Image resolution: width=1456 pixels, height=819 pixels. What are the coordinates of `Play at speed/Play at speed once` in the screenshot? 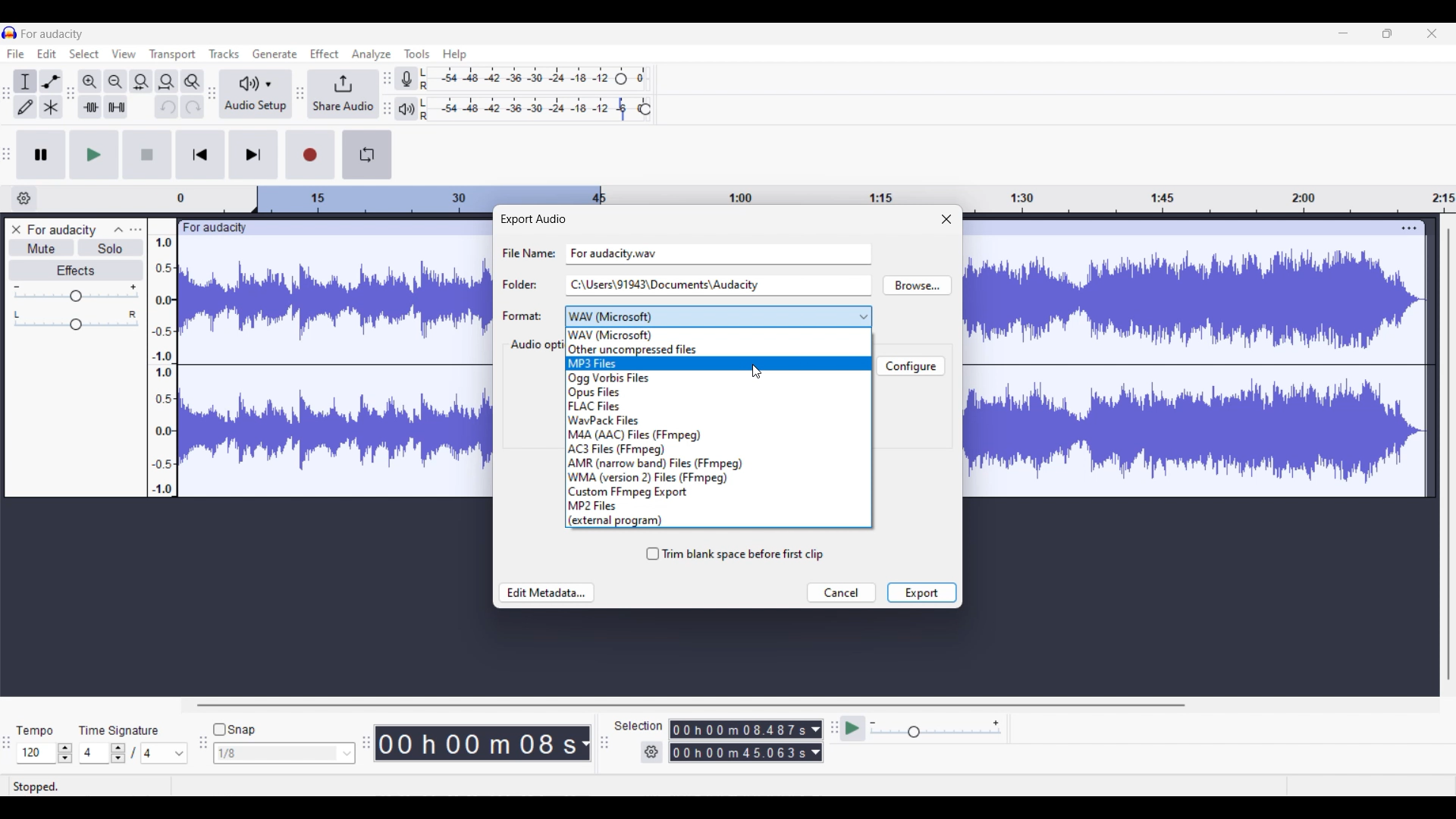 It's located at (854, 728).